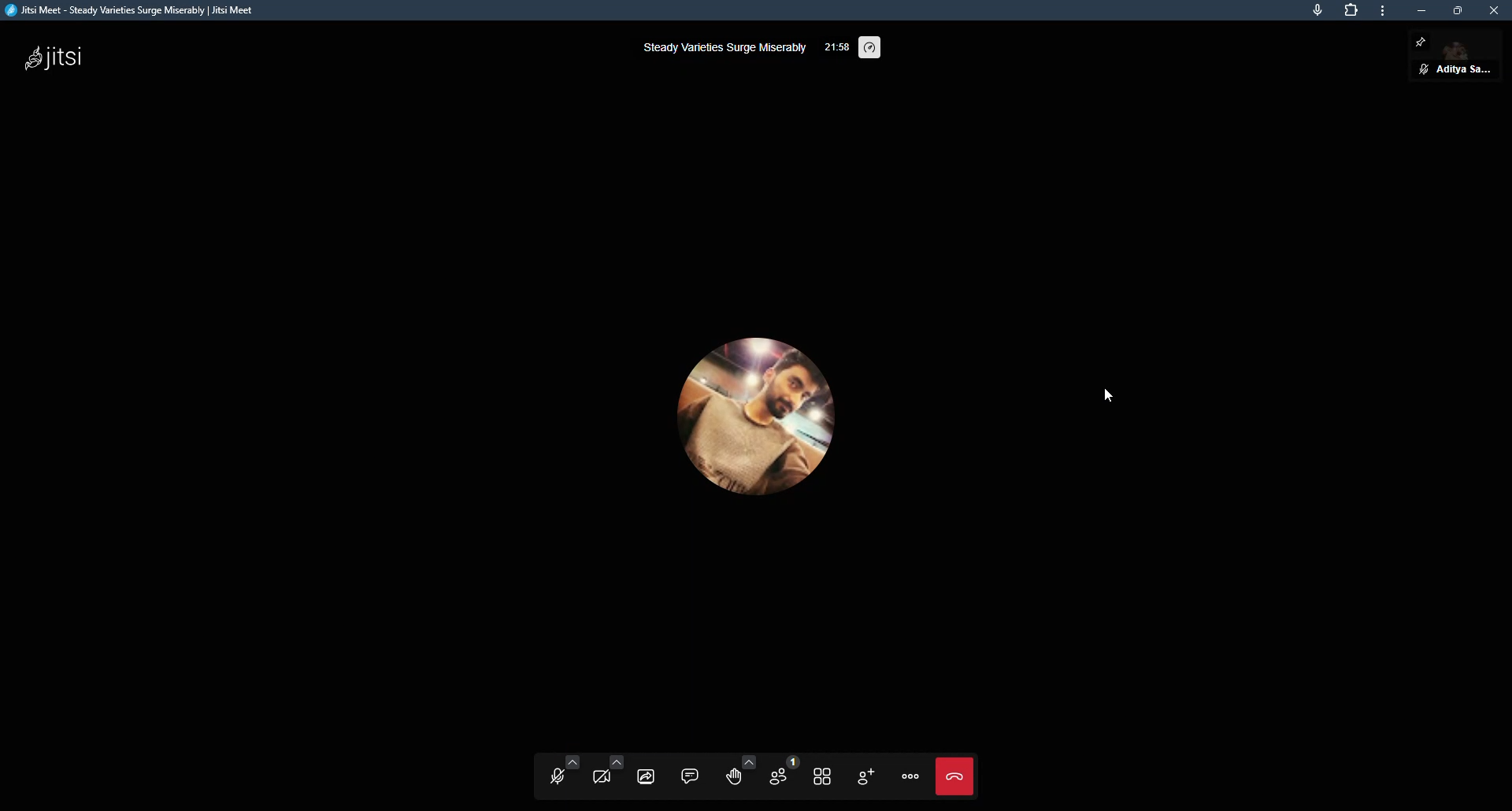 The image size is (1512, 811). What do you see at coordinates (1424, 68) in the screenshot?
I see `muted` at bounding box center [1424, 68].